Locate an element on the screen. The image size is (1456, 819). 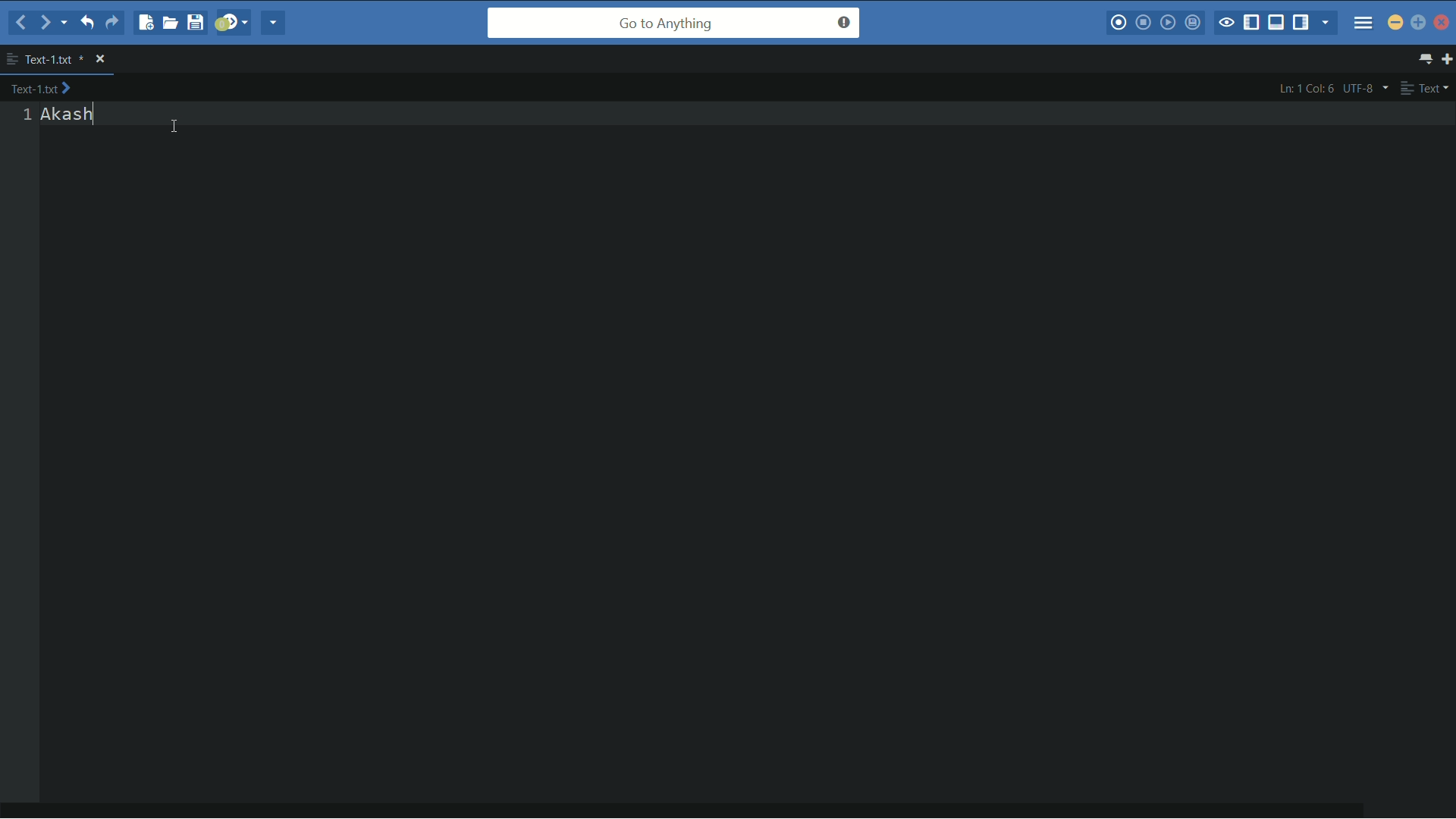
cursor is located at coordinates (175, 128).